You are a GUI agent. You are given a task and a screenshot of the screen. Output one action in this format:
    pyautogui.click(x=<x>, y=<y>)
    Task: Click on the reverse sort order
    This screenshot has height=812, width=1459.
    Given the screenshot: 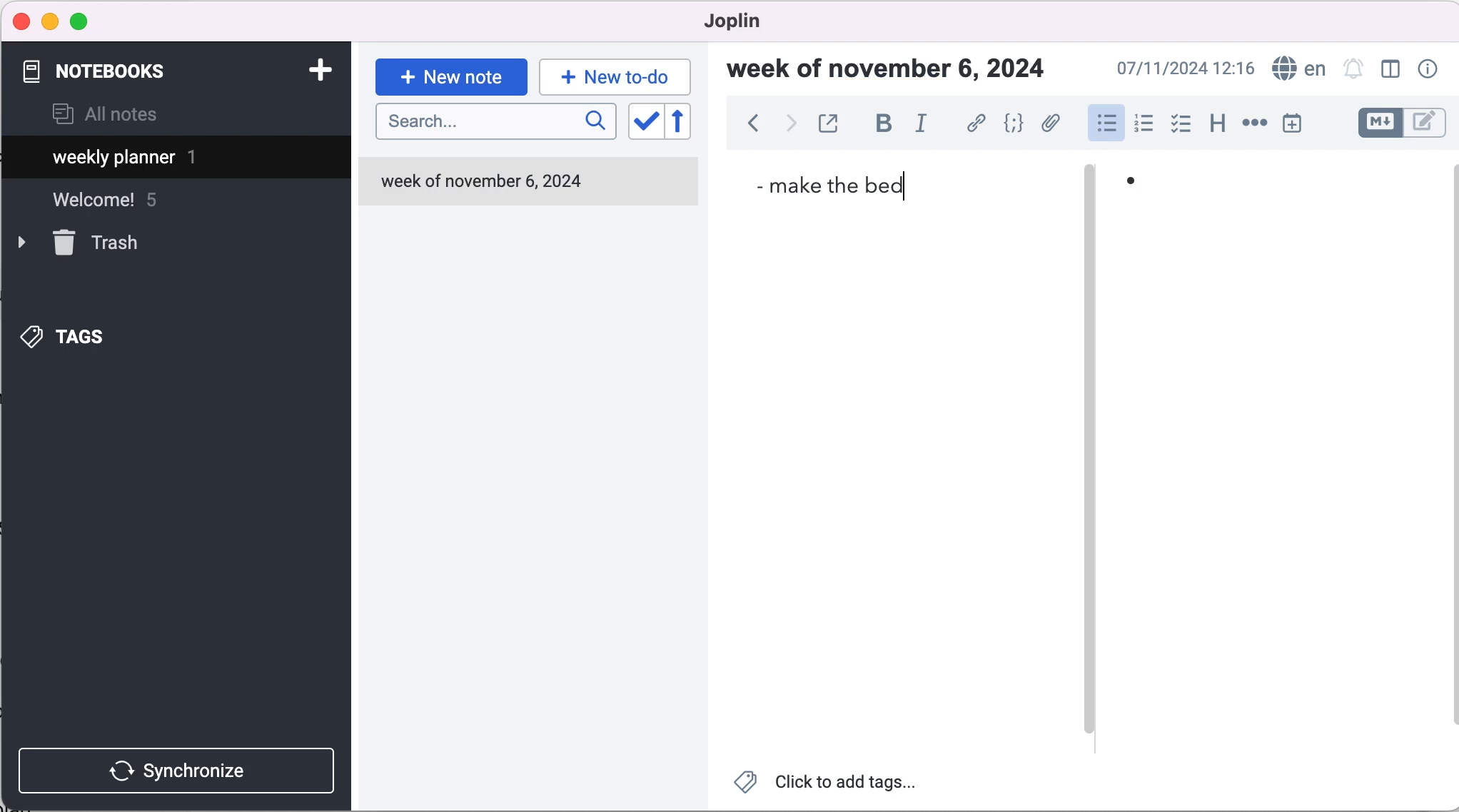 What is the action you would take?
    pyautogui.click(x=690, y=124)
    